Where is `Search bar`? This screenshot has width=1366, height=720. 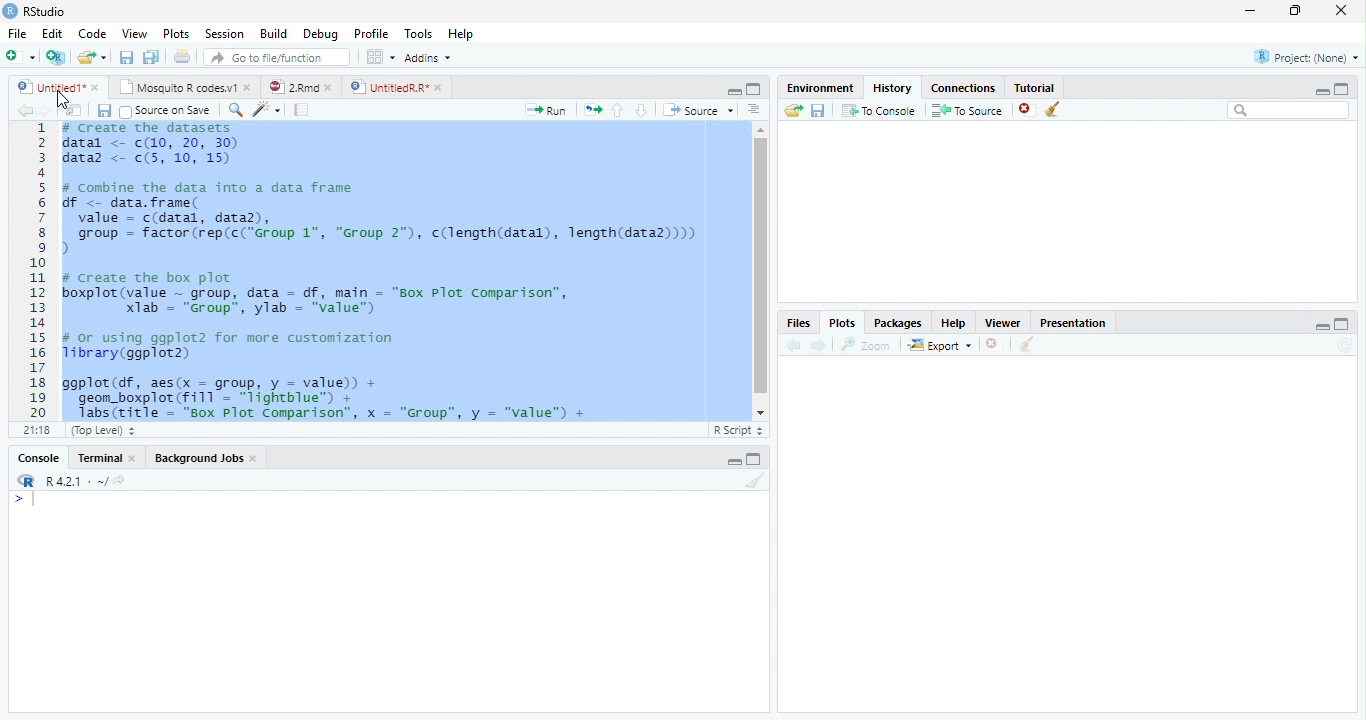 Search bar is located at coordinates (1289, 111).